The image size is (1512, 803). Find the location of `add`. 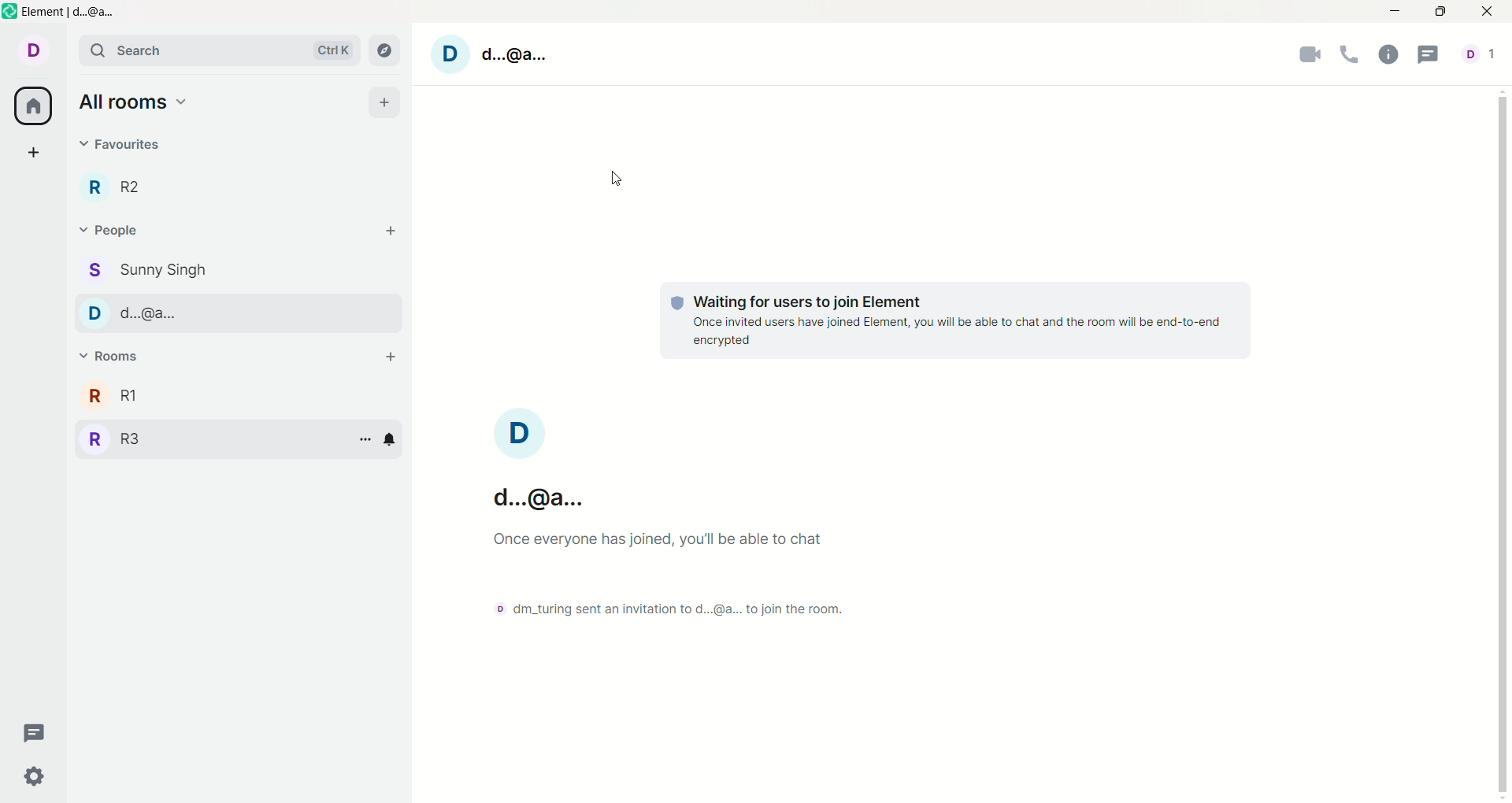

add is located at coordinates (384, 102).